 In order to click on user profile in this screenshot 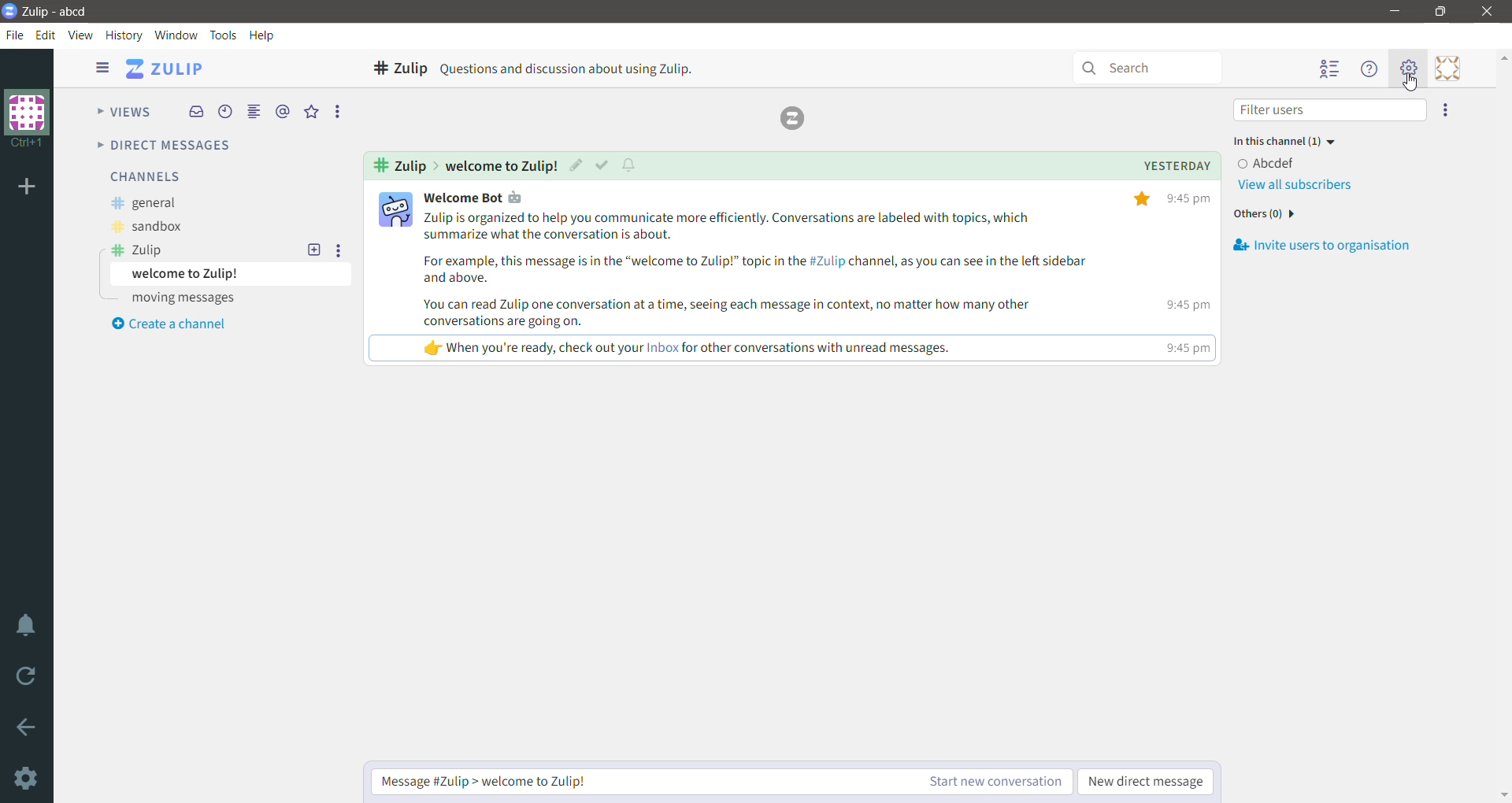, I will do `click(396, 209)`.